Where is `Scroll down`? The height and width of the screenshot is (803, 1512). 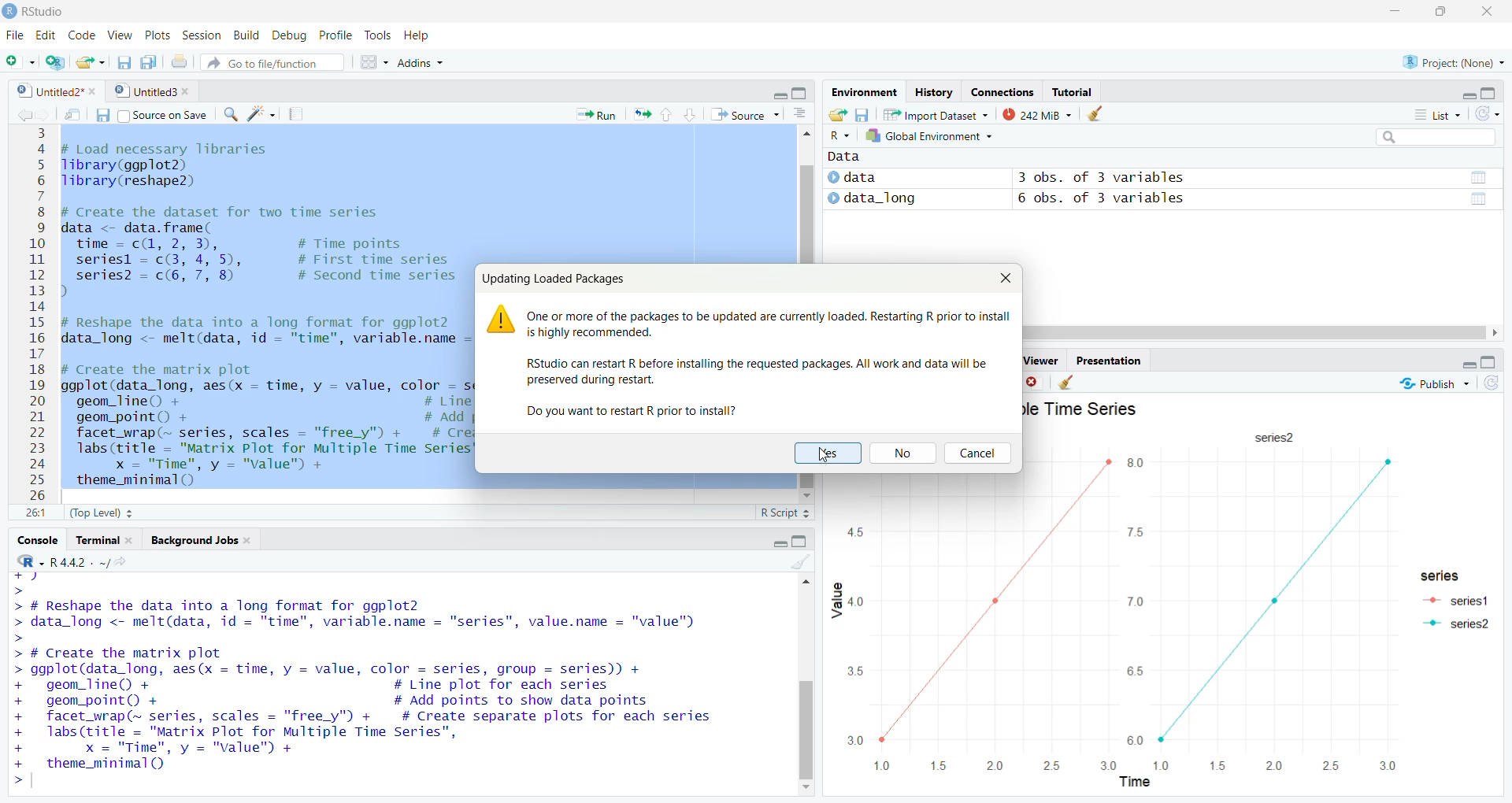
Scroll down is located at coordinates (807, 788).